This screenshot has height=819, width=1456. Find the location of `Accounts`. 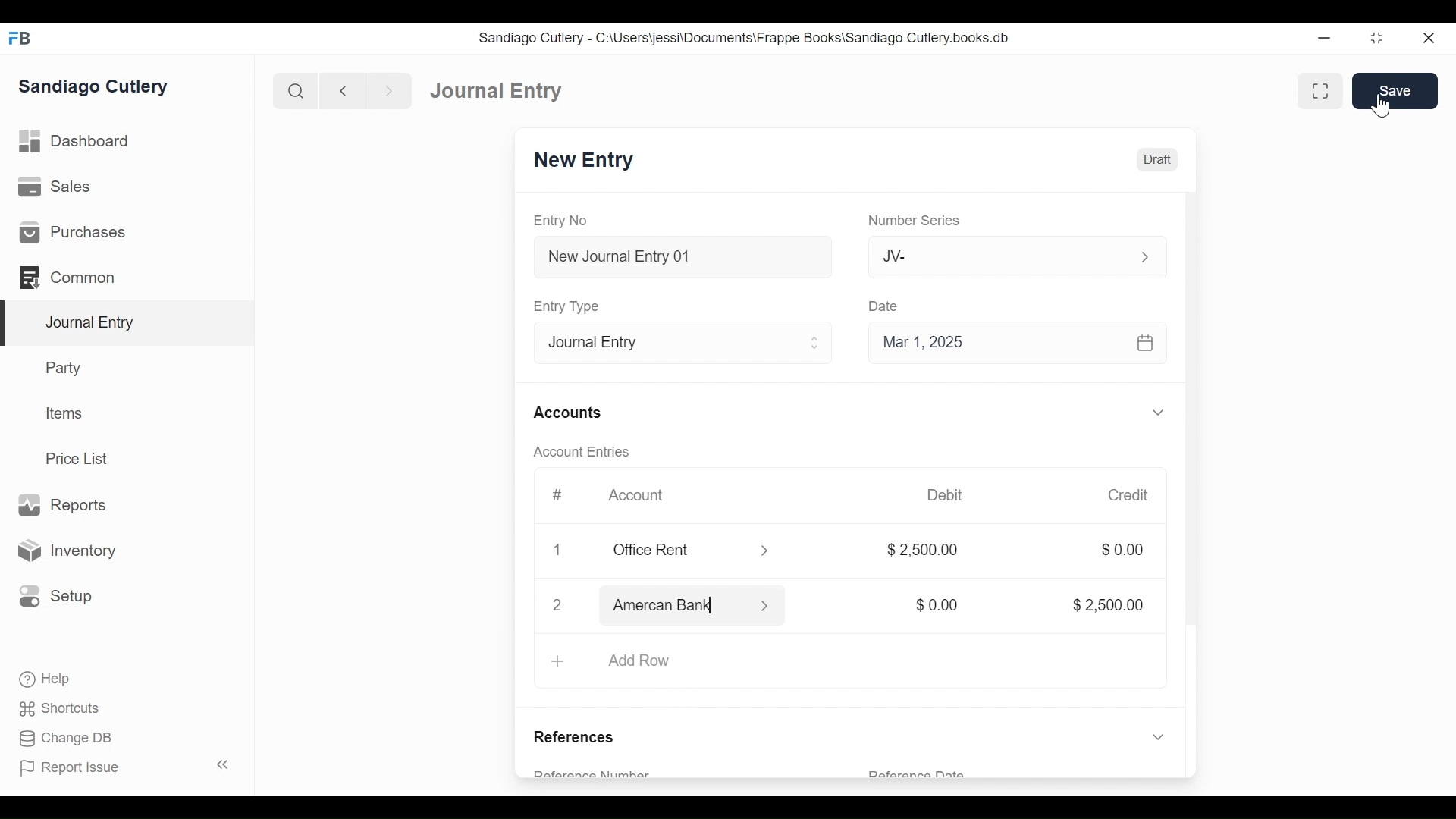

Accounts is located at coordinates (566, 413).